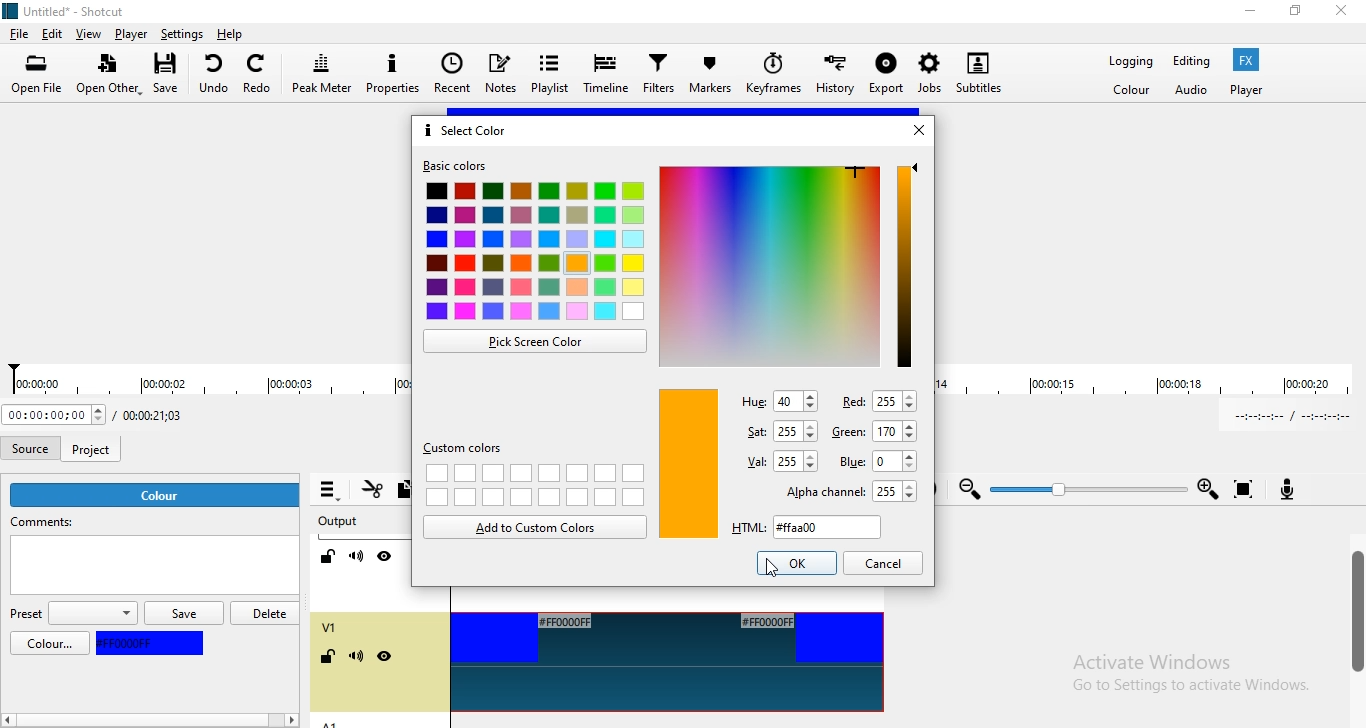  I want to click on Player, so click(131, 34).